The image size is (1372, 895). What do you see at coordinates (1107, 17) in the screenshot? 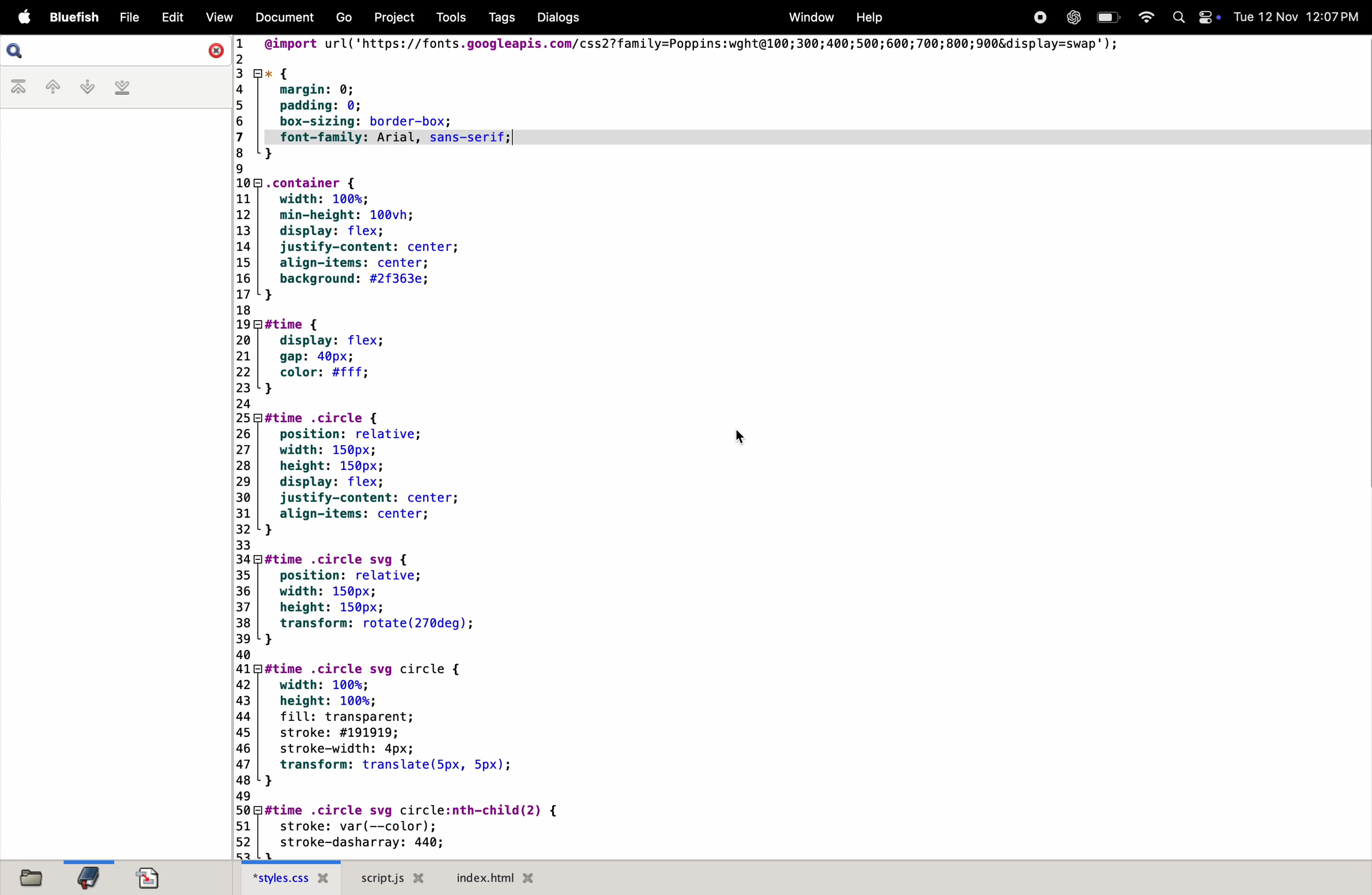
I see `battery` at bounding box center [1107, 17].